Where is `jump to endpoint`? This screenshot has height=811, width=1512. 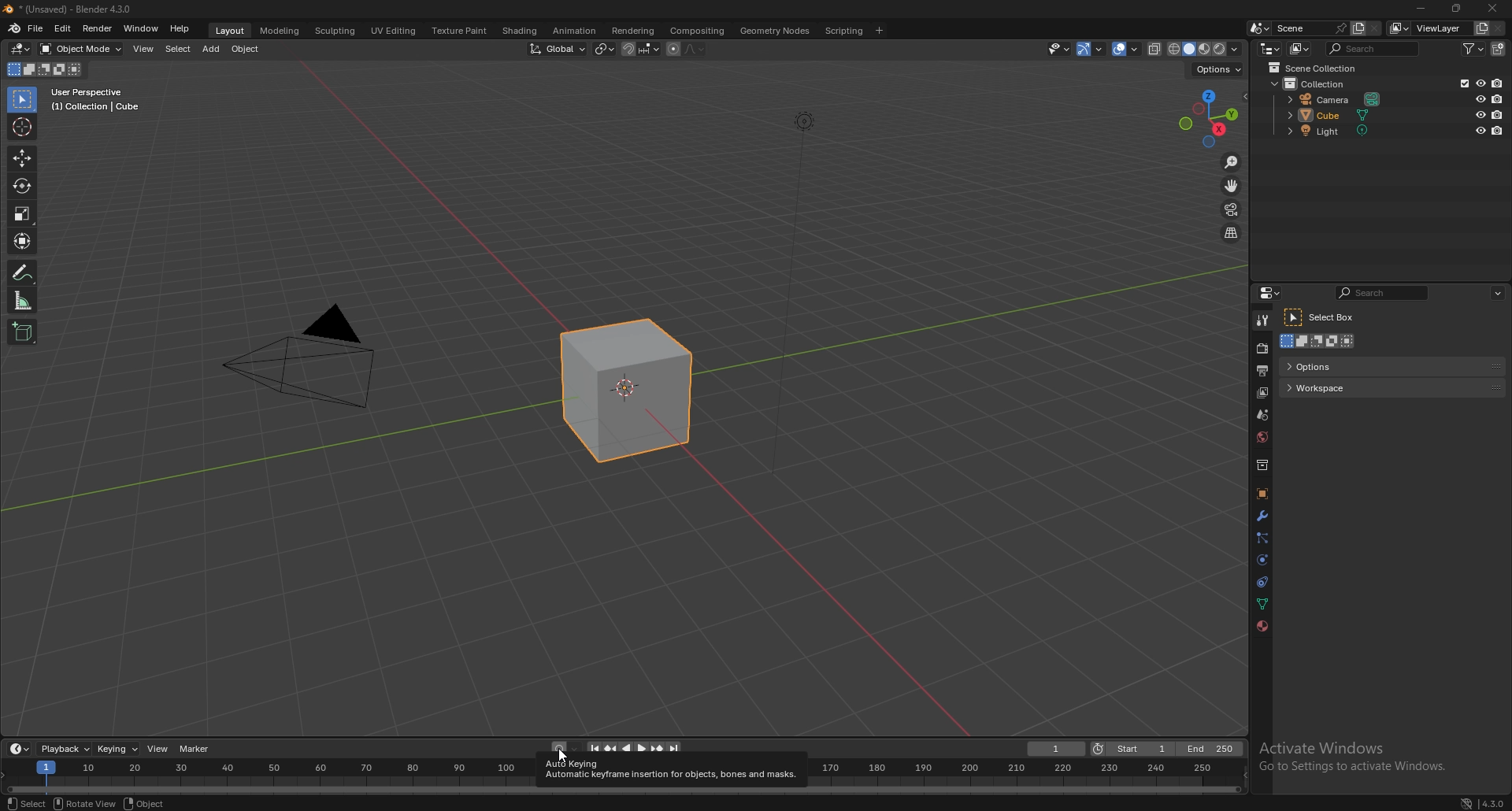
jump to endpoint is located at coordinates (675, 748).